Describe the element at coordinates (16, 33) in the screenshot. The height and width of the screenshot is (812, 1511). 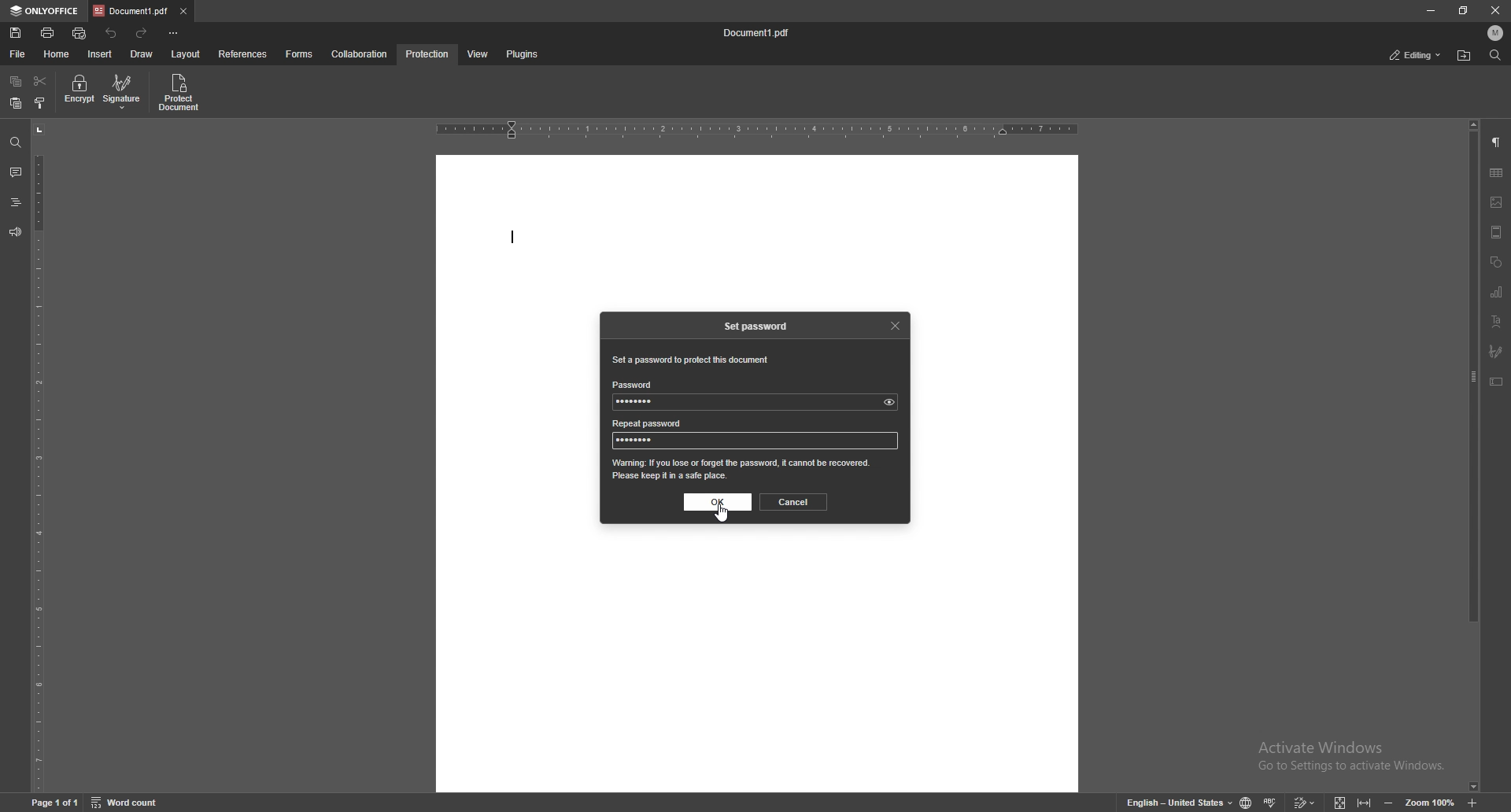
I see `save` at that location.